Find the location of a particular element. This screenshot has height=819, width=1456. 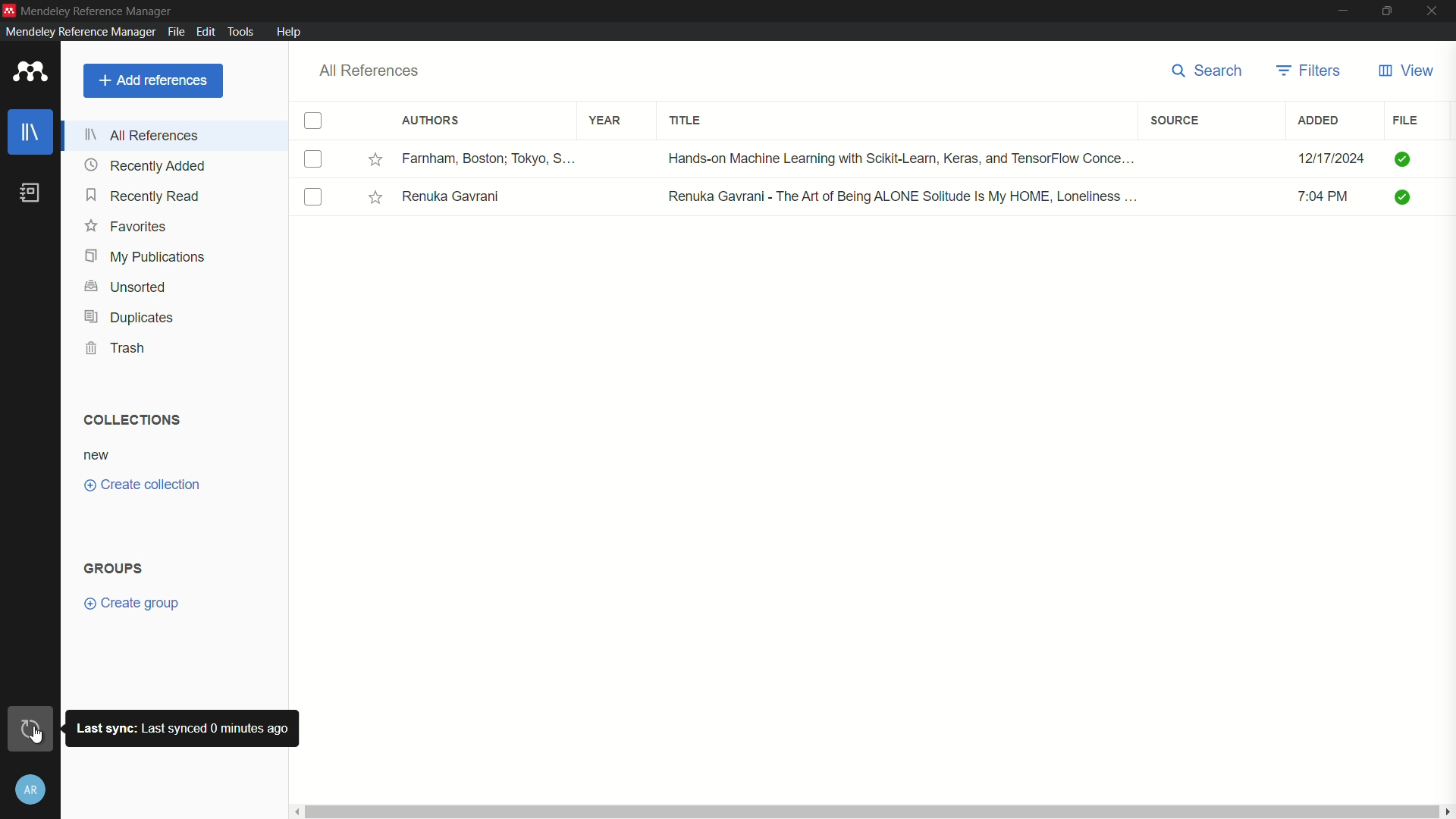

groups is located at coordinates (115, 568).